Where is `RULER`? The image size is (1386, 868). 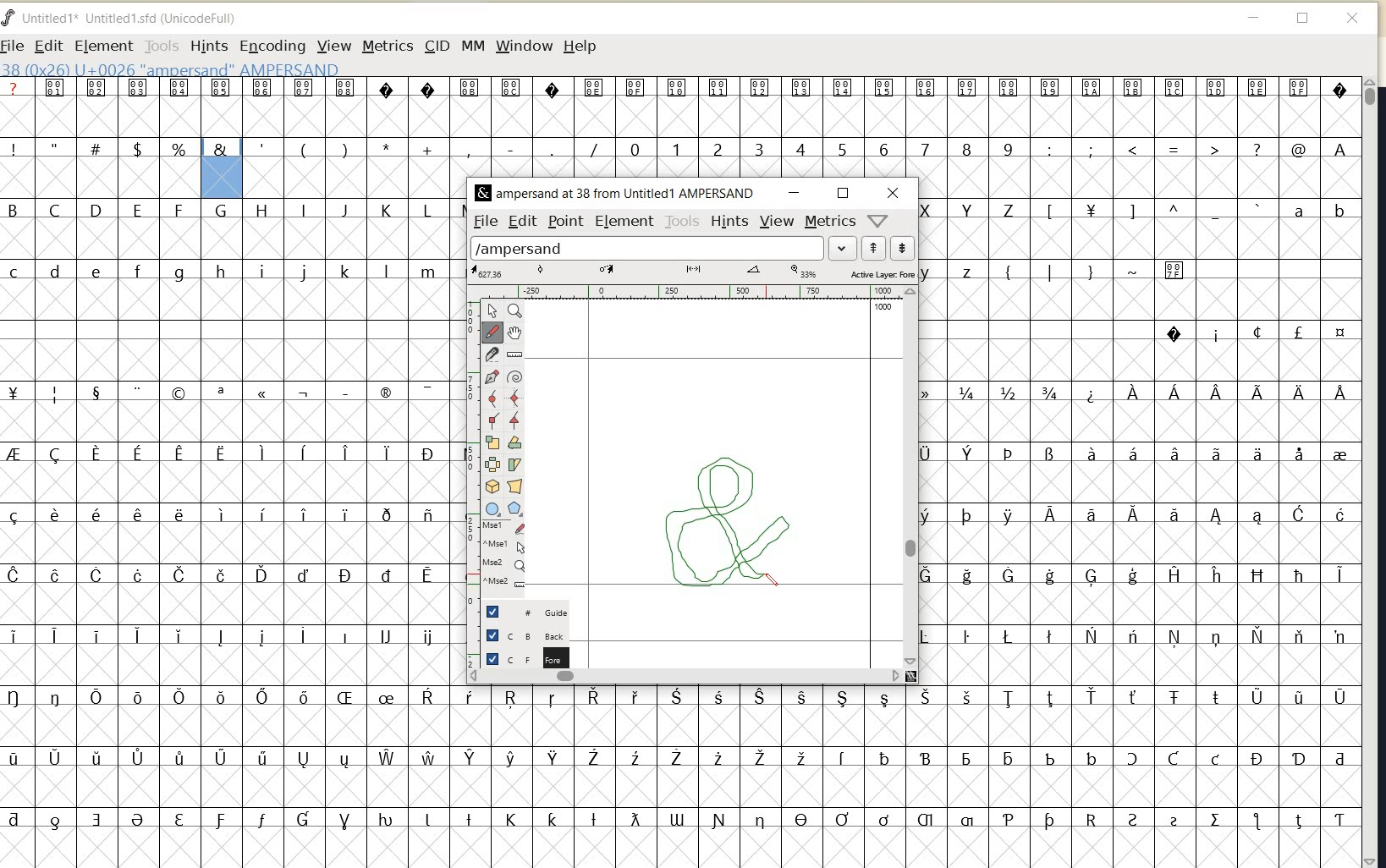 RULER is located at coordinates (688, 292).